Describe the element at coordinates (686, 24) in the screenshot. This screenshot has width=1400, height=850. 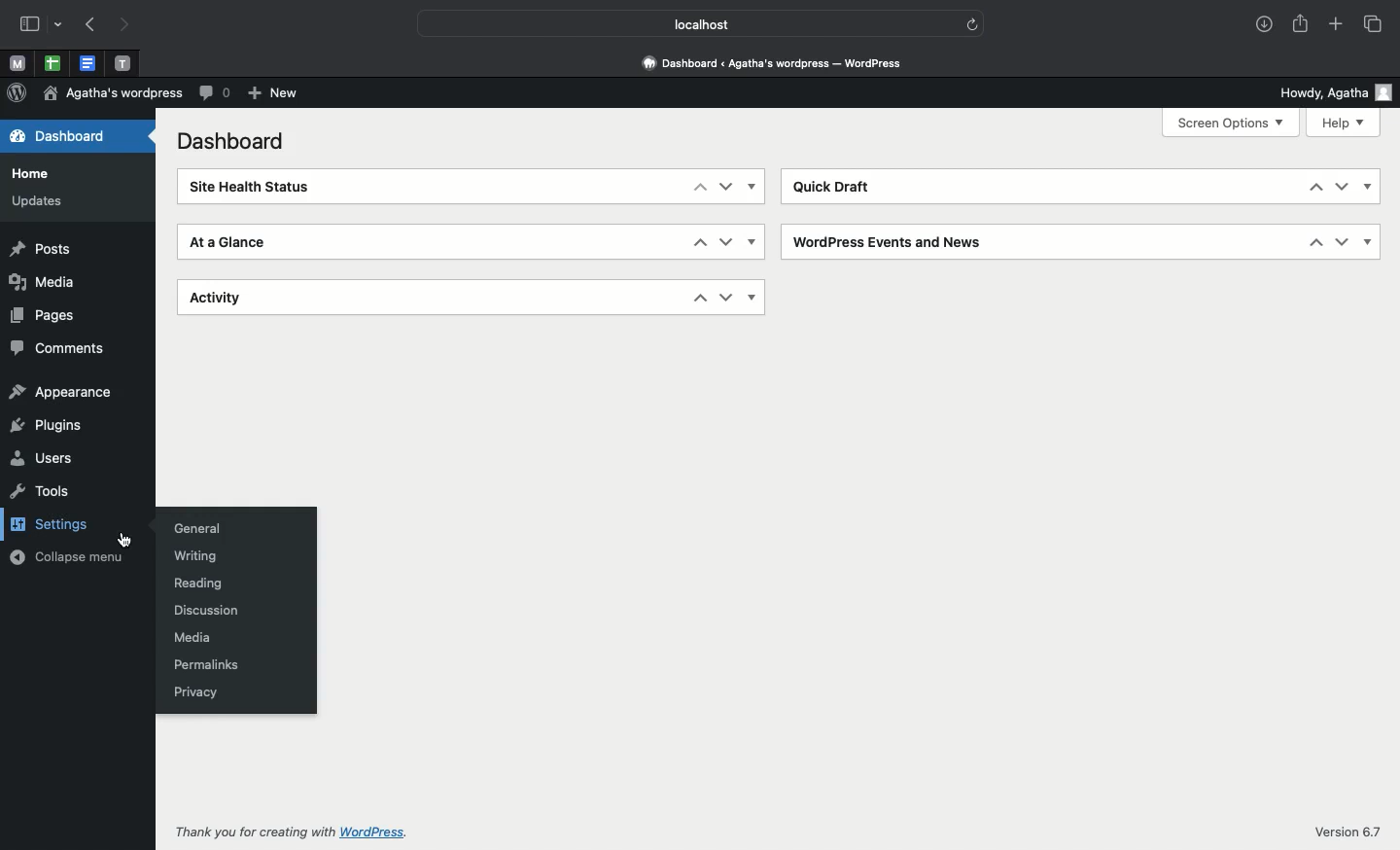
I see `Localhost` at that location.